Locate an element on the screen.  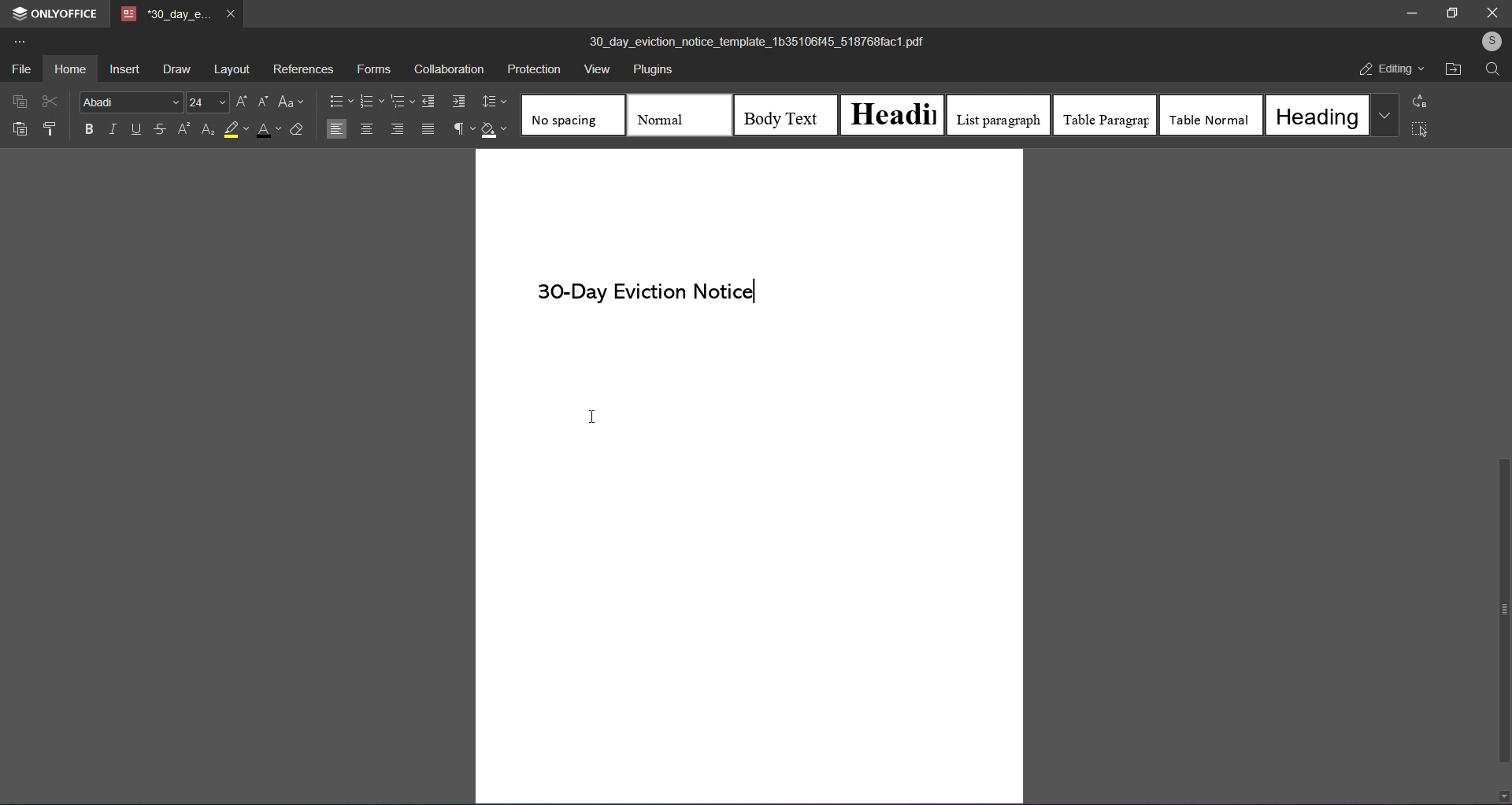
minimize is located at coordinates (1415, 12).